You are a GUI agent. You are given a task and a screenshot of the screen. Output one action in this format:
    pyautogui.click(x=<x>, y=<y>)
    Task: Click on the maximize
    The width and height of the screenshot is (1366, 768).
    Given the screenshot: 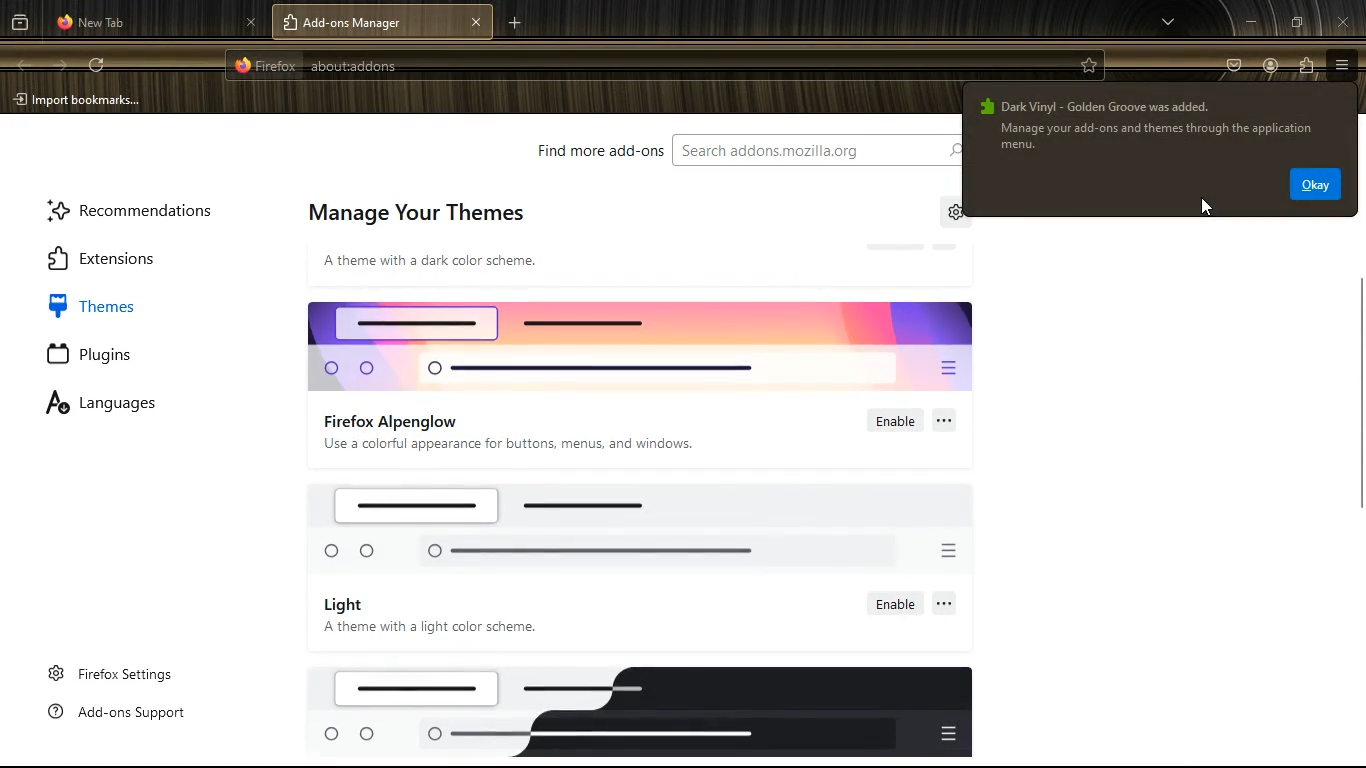 What is the action you would take?
    pyautogui.click(x=1291, y=22)
    